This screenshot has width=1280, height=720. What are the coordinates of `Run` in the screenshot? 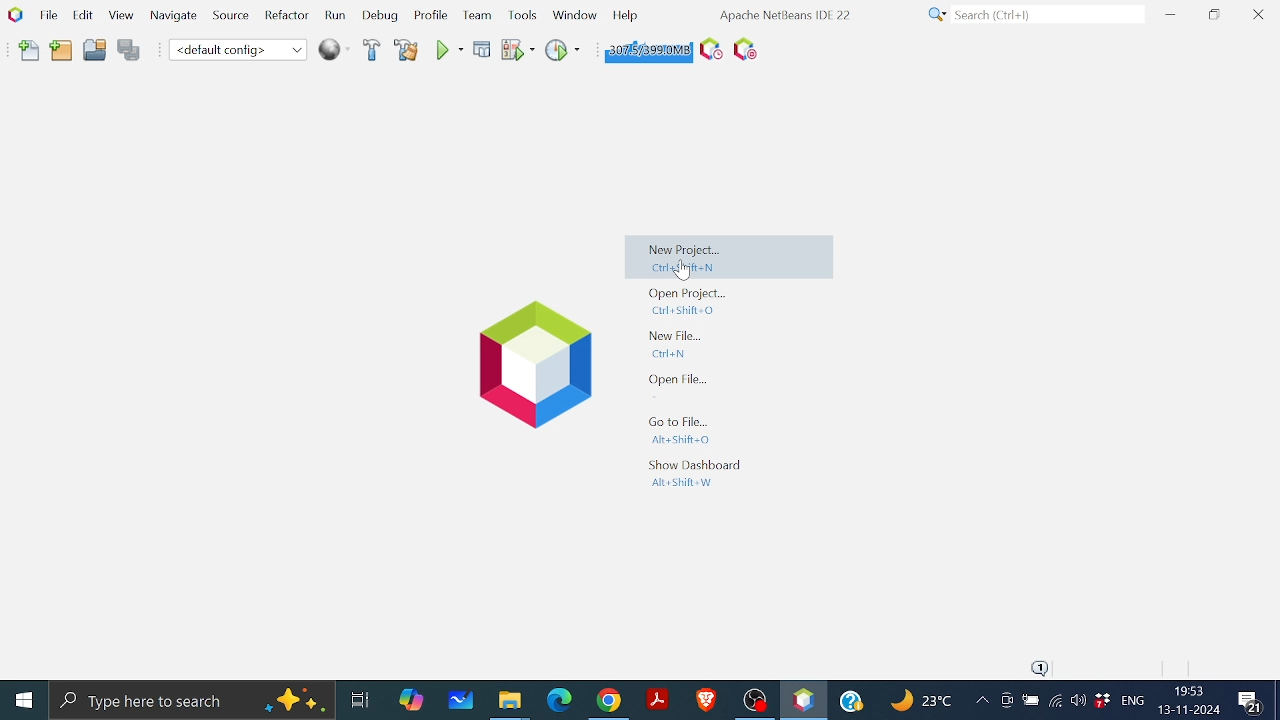 It's located at (334, 16).